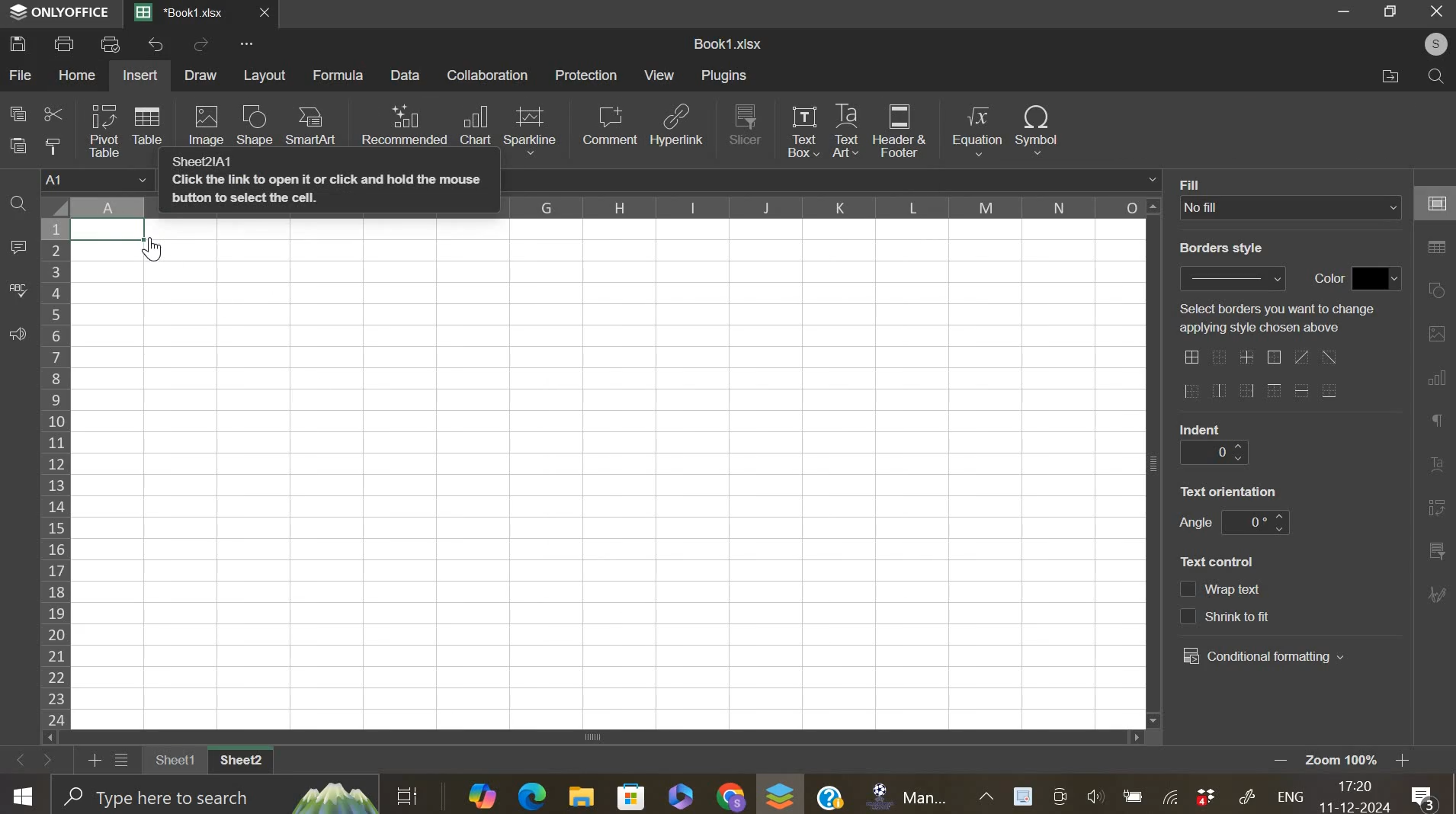  What do you see at coordinates (18, 290) in the screenshot?
I see `spelling` at bounding box center [18, 290].